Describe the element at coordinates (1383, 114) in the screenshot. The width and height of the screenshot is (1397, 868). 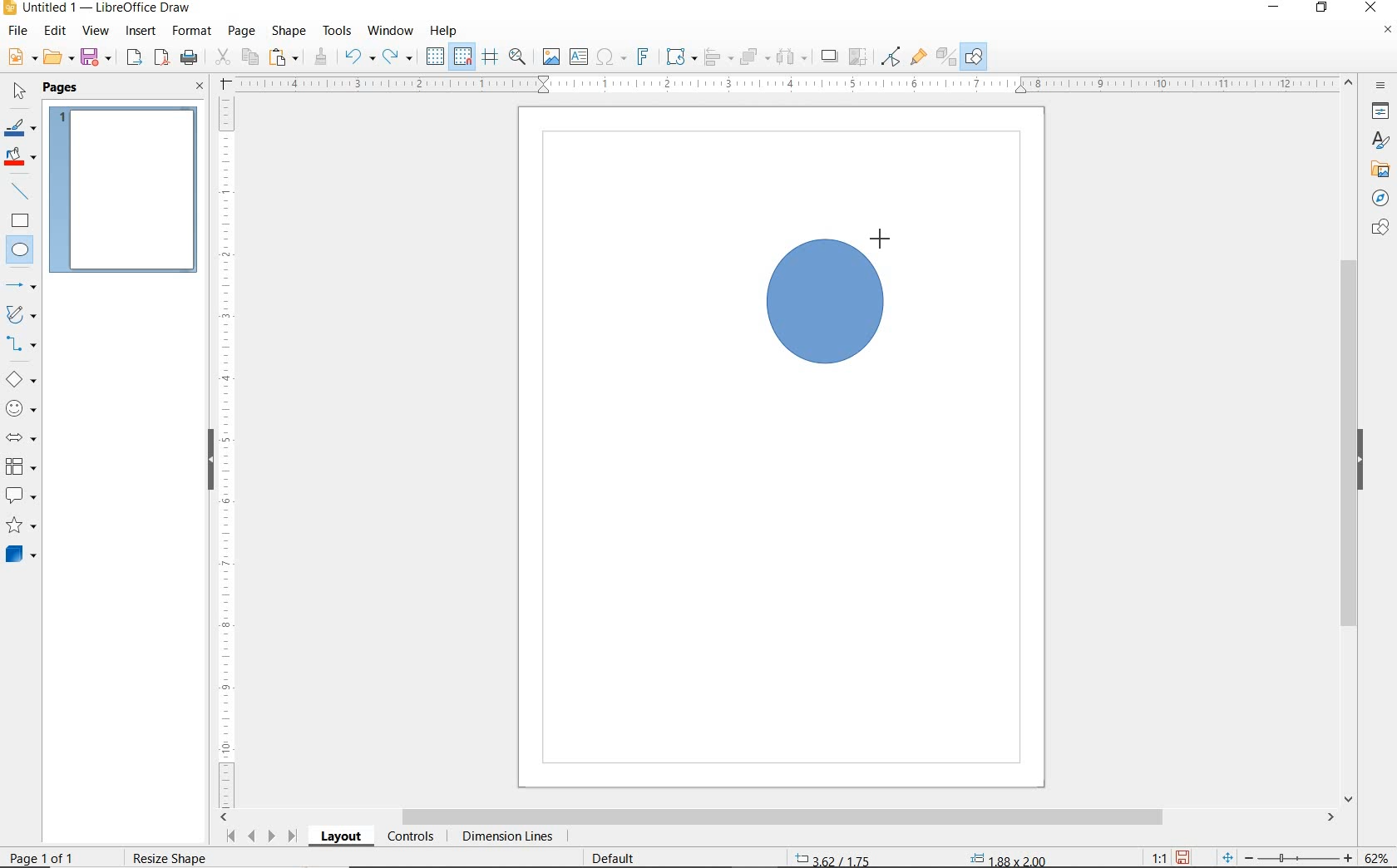
I see `PROPERTIES` at that location.